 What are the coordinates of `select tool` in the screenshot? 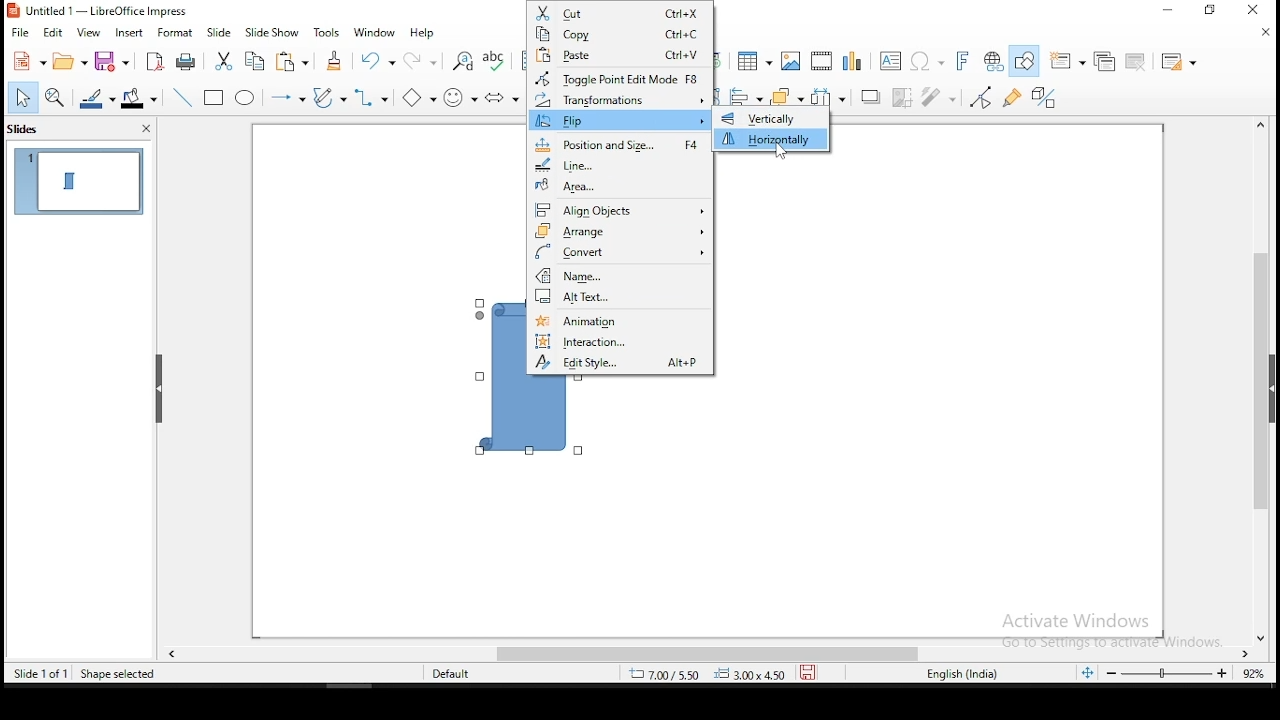 It's located at (23, 97).